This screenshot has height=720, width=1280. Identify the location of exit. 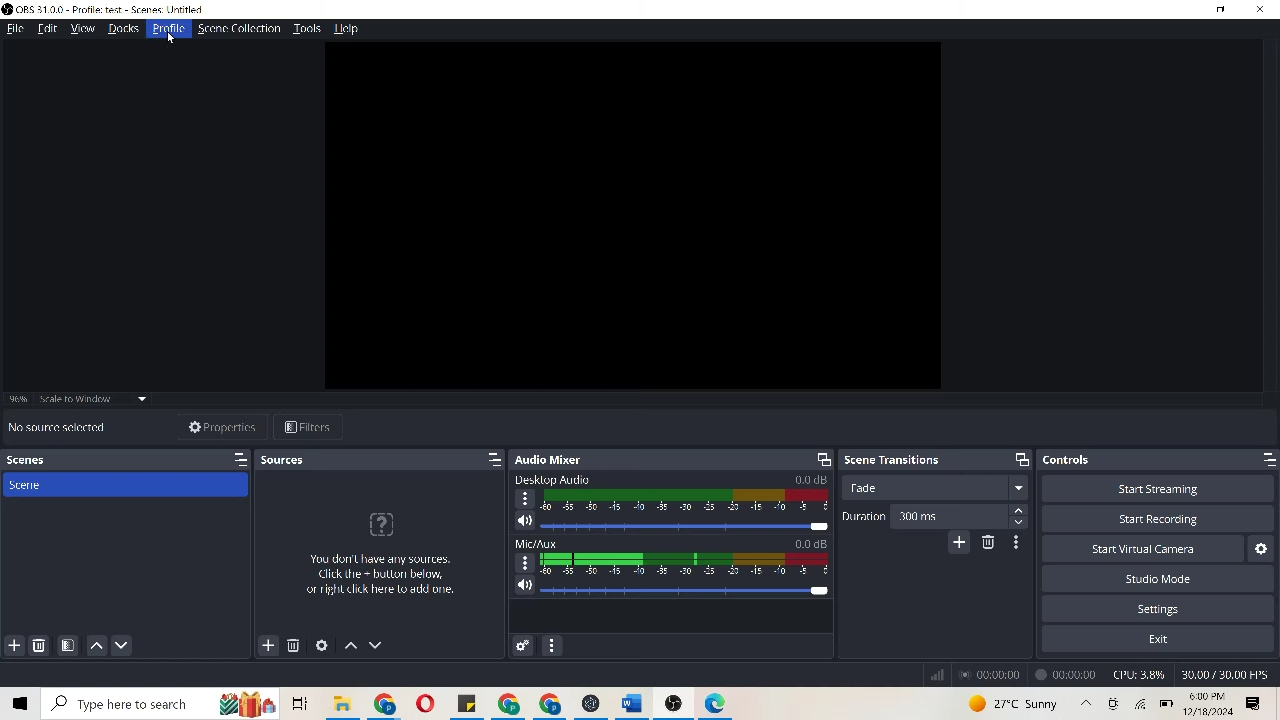
(1156, 636).